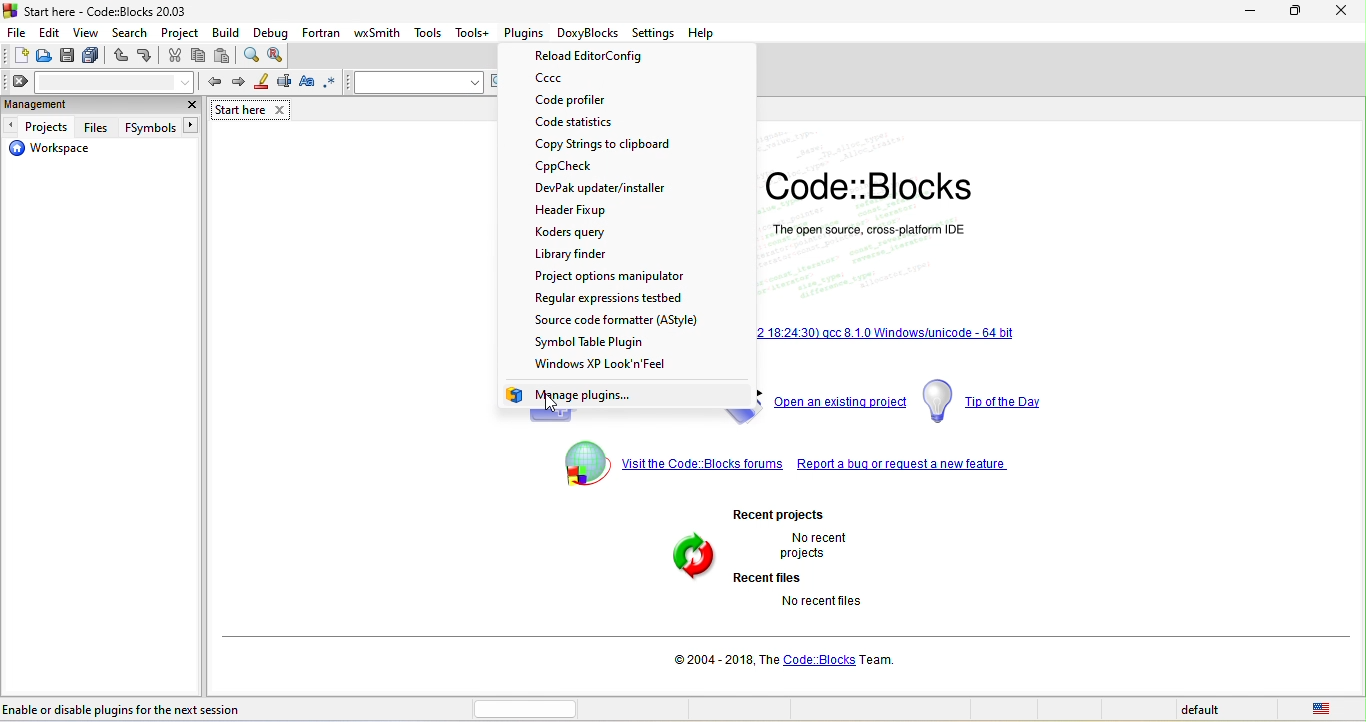  Describe the element at coordinates (994, 400) in the screenshot. I see `tip of the day` at that location.